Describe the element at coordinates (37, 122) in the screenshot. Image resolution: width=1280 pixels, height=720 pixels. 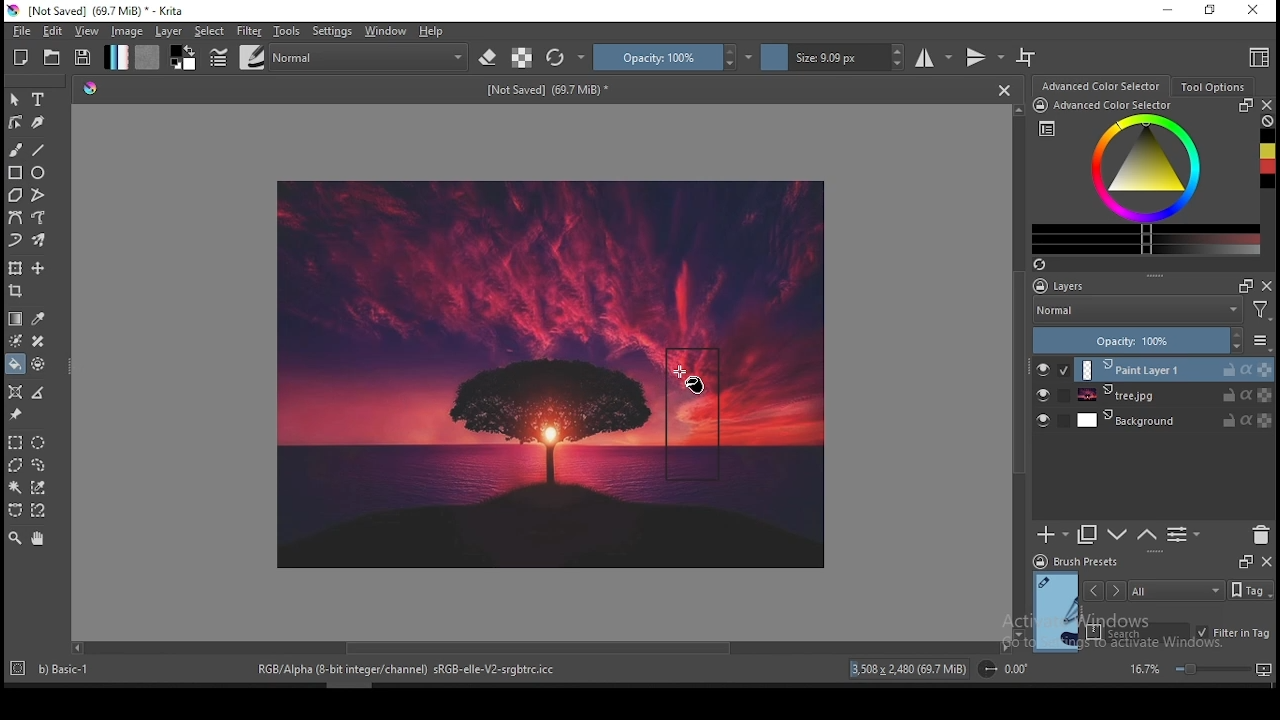
I see `calligraphy` at that location.